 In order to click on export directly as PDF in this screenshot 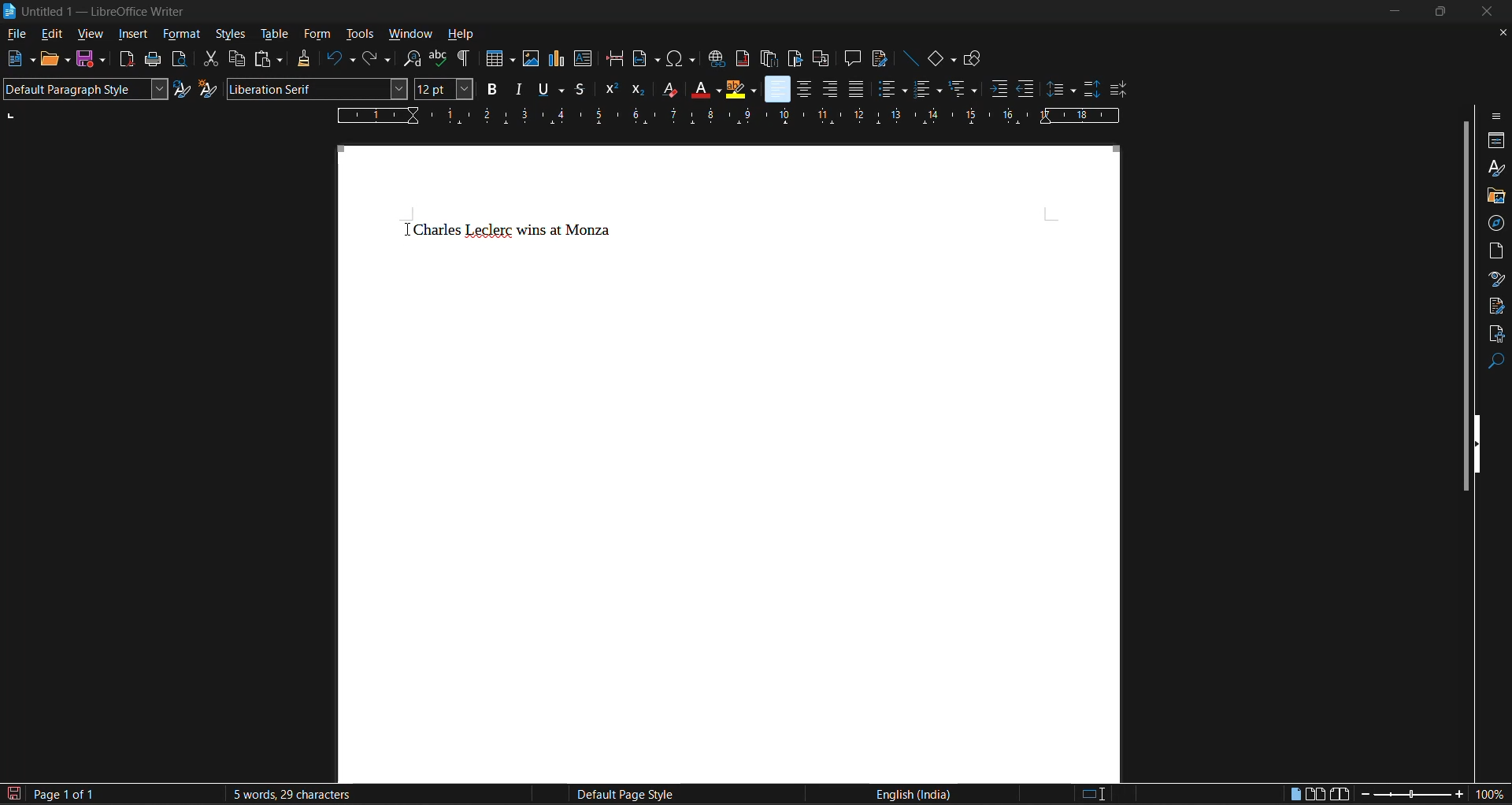, I will do `click(129, 60)`.